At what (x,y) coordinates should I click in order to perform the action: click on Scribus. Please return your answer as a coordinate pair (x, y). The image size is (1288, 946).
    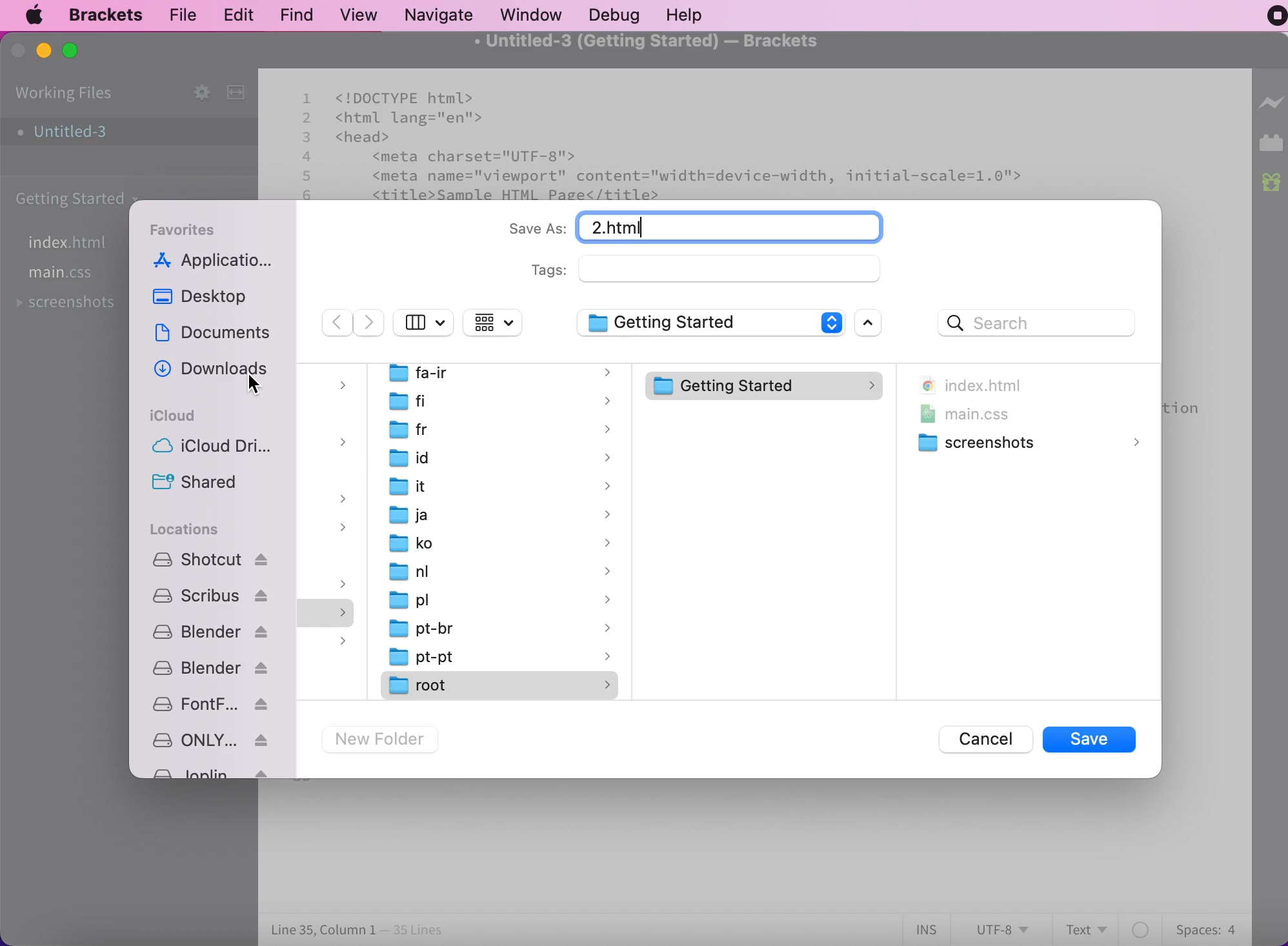
    Looking at the image, I should click on (208, 596).